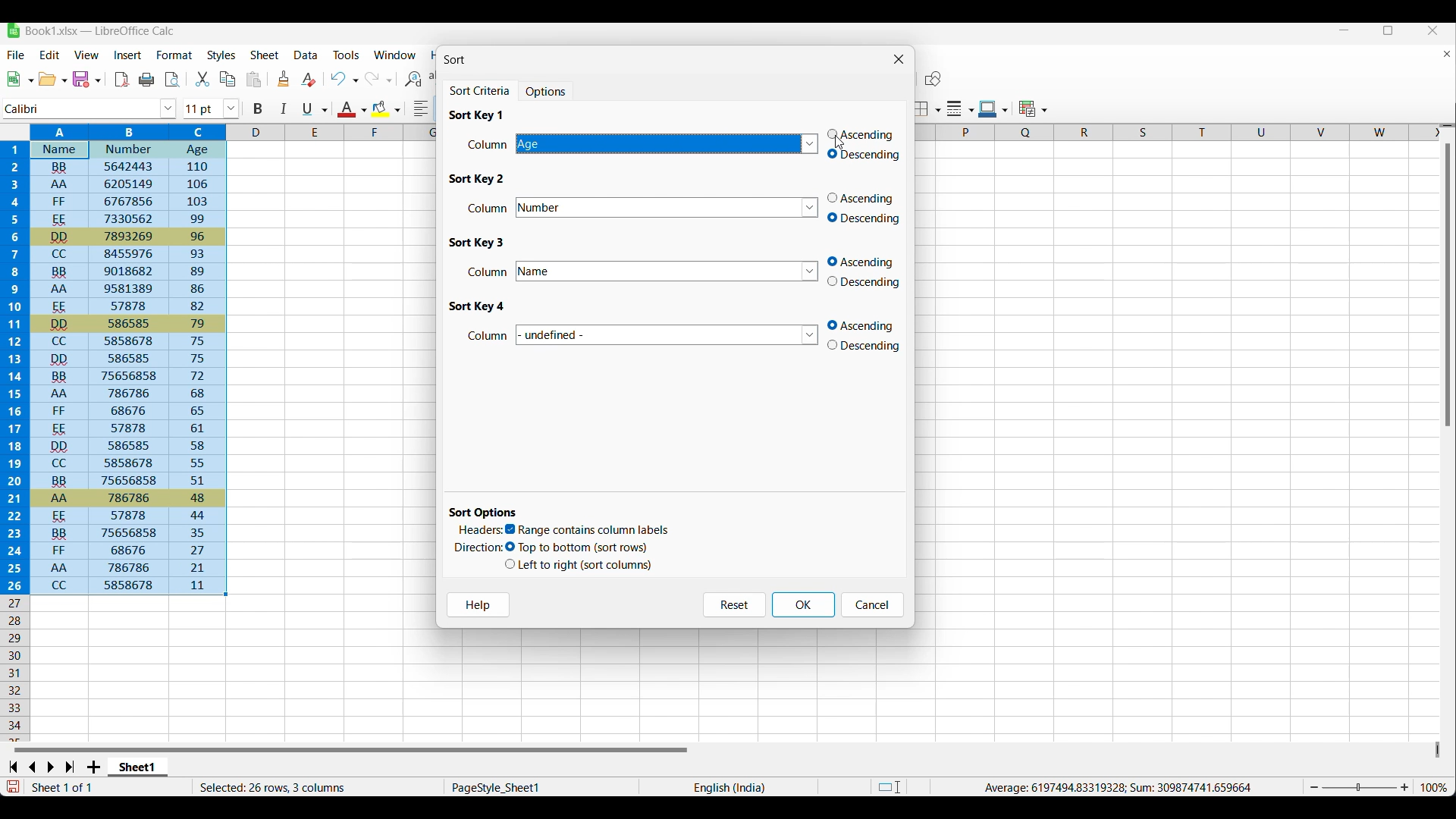 The width and height of the screenshot is (1456, 819). Describe the element at coordinates (17, 669) in the screenshot. I see `Rows marker` at that location.